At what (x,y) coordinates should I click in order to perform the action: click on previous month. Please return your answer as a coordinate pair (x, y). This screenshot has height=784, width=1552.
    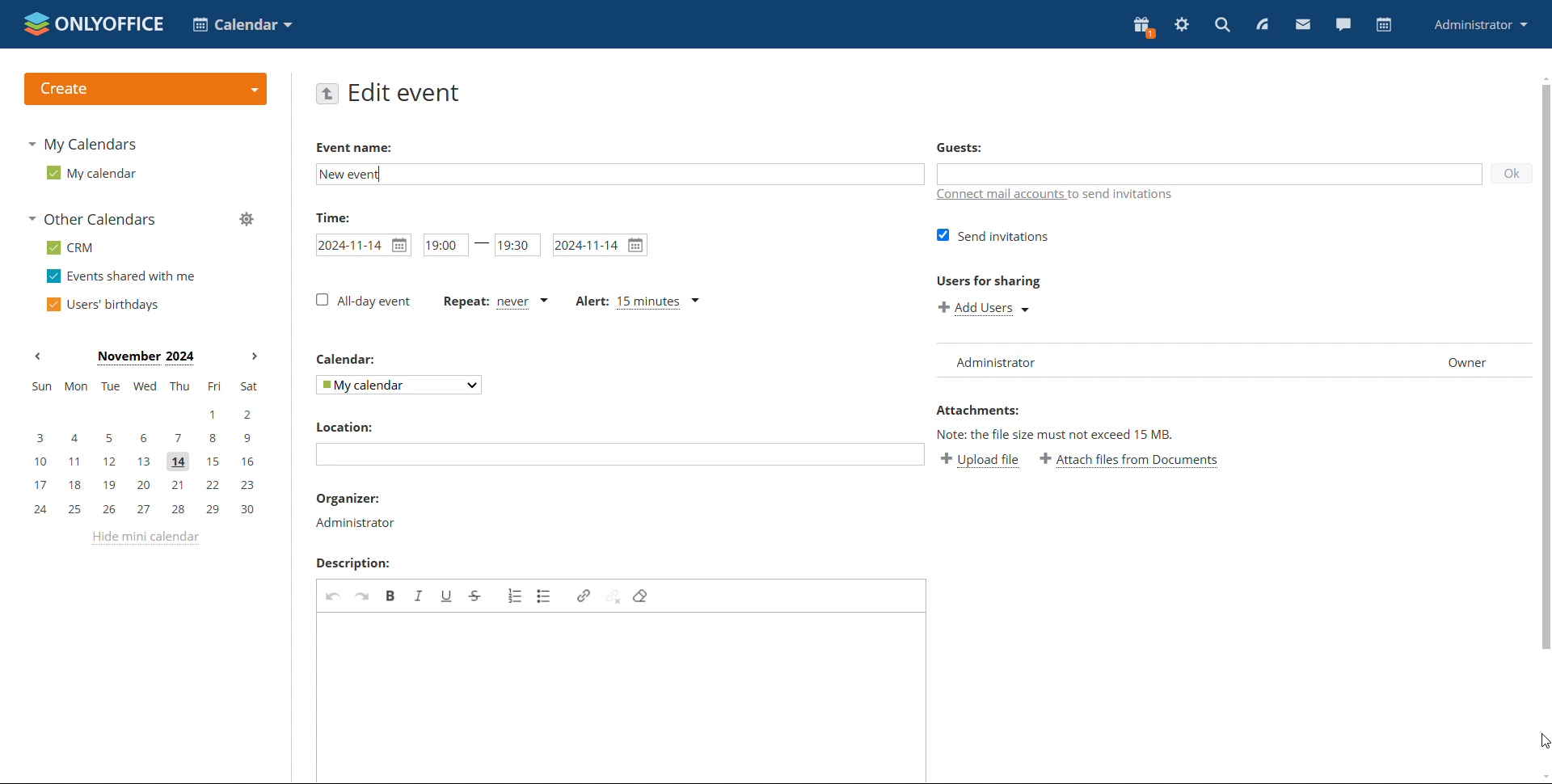
    Looking at the image, I should click on (37, 356).